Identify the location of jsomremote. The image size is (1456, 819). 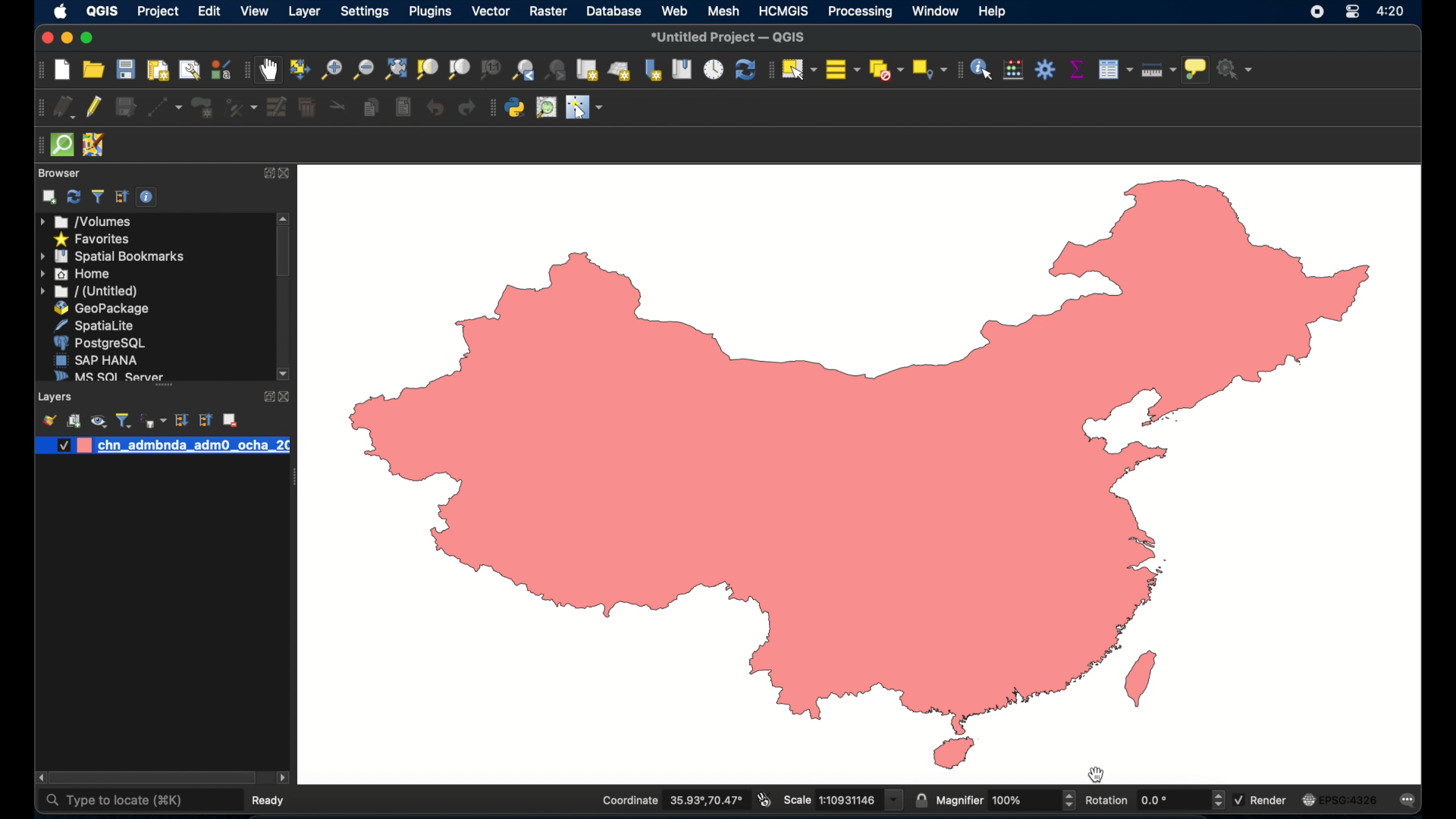
(93, 146).